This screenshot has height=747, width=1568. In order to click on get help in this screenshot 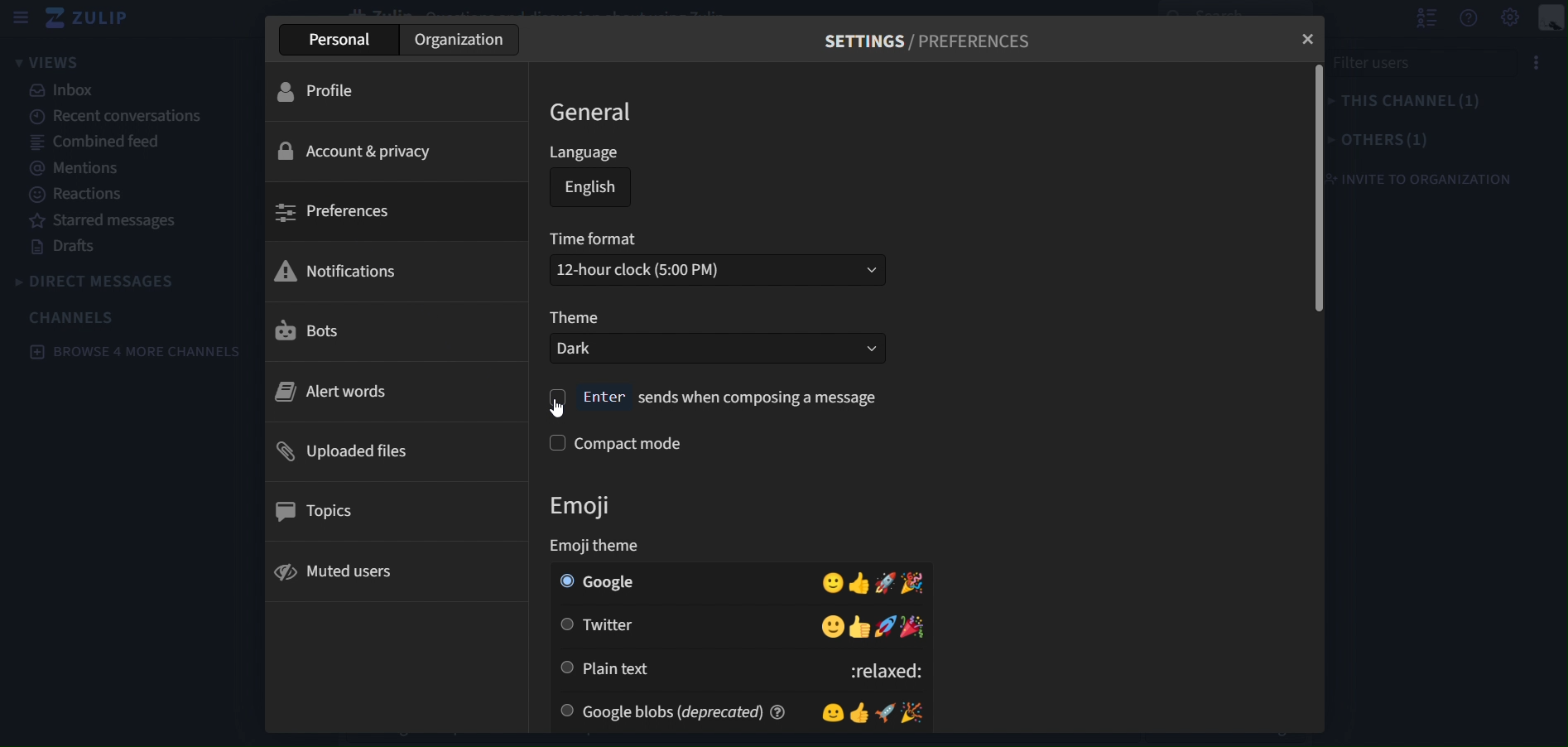, I will do `click(1470, 19)`.